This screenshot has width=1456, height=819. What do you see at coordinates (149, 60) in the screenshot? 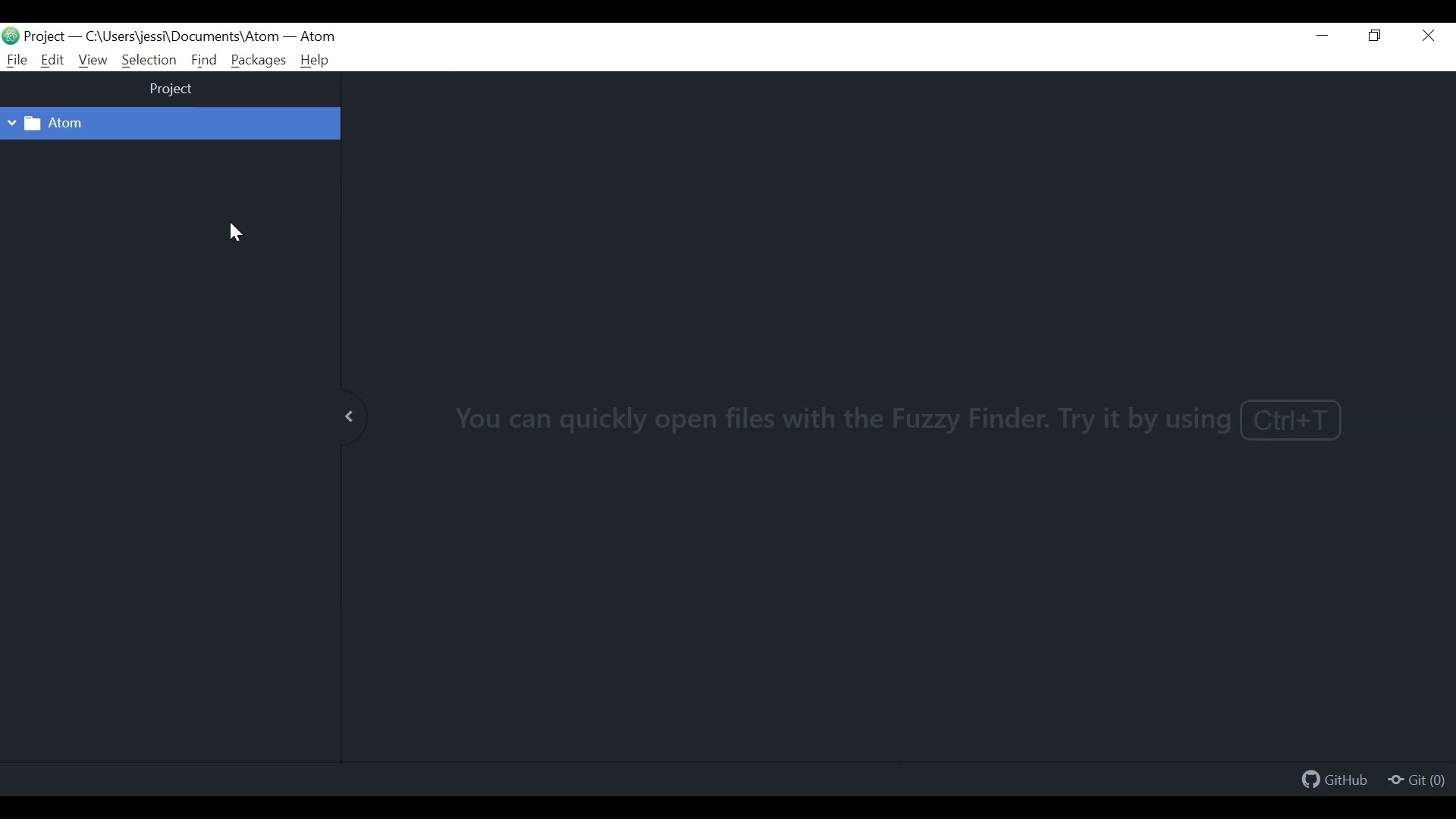
I see `Selection` at bounding box center [149, 60].